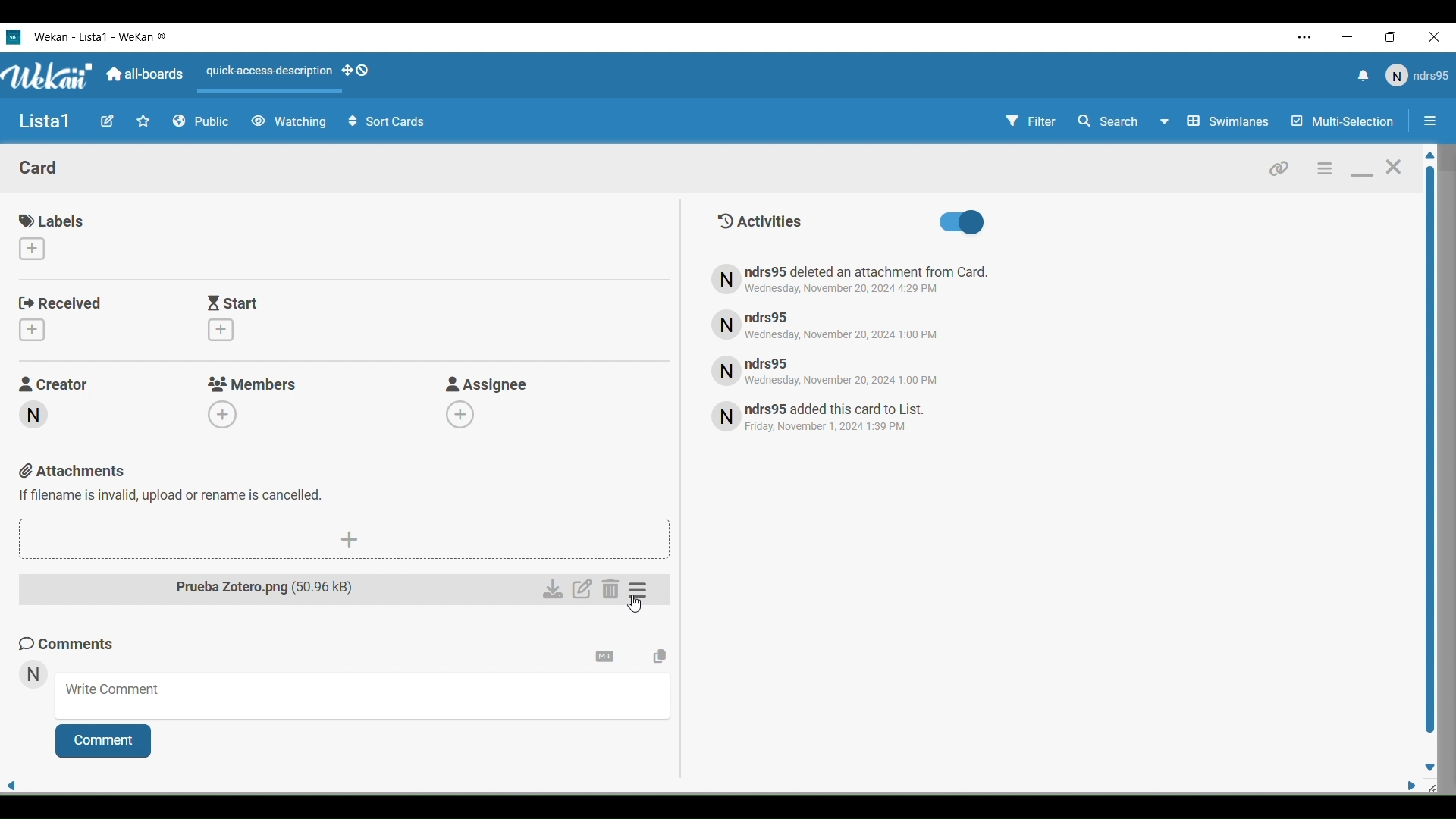  I want to click on Minimize, so click(1349, 37).